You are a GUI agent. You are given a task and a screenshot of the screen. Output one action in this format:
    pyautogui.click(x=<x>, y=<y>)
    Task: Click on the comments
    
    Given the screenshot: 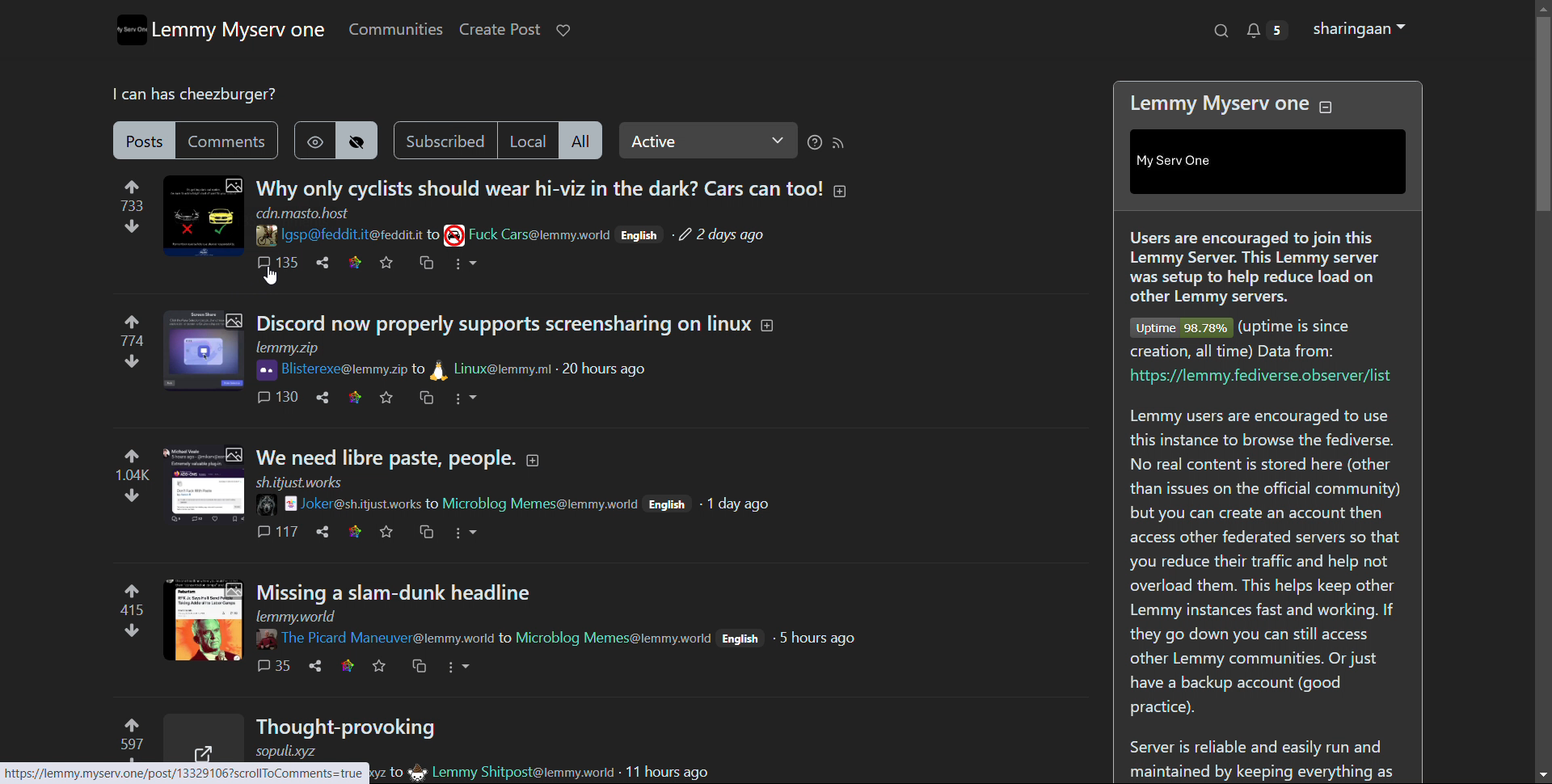 What is the action you would take?
    pyautogui.click(x=279, y=397)
    